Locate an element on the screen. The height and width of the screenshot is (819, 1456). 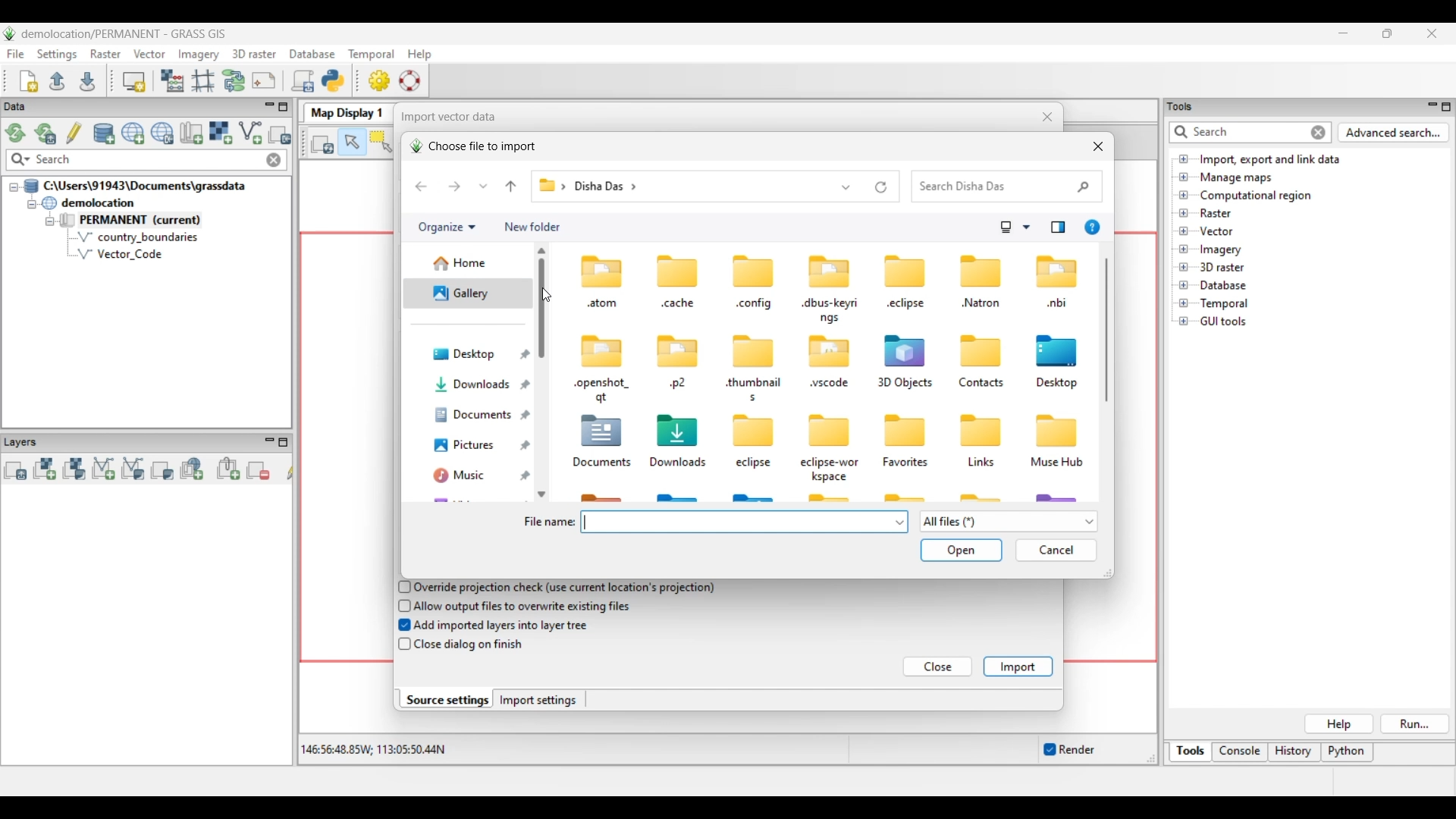
Enable/Disable auto-rendering is located at coordinates (1068, 750).